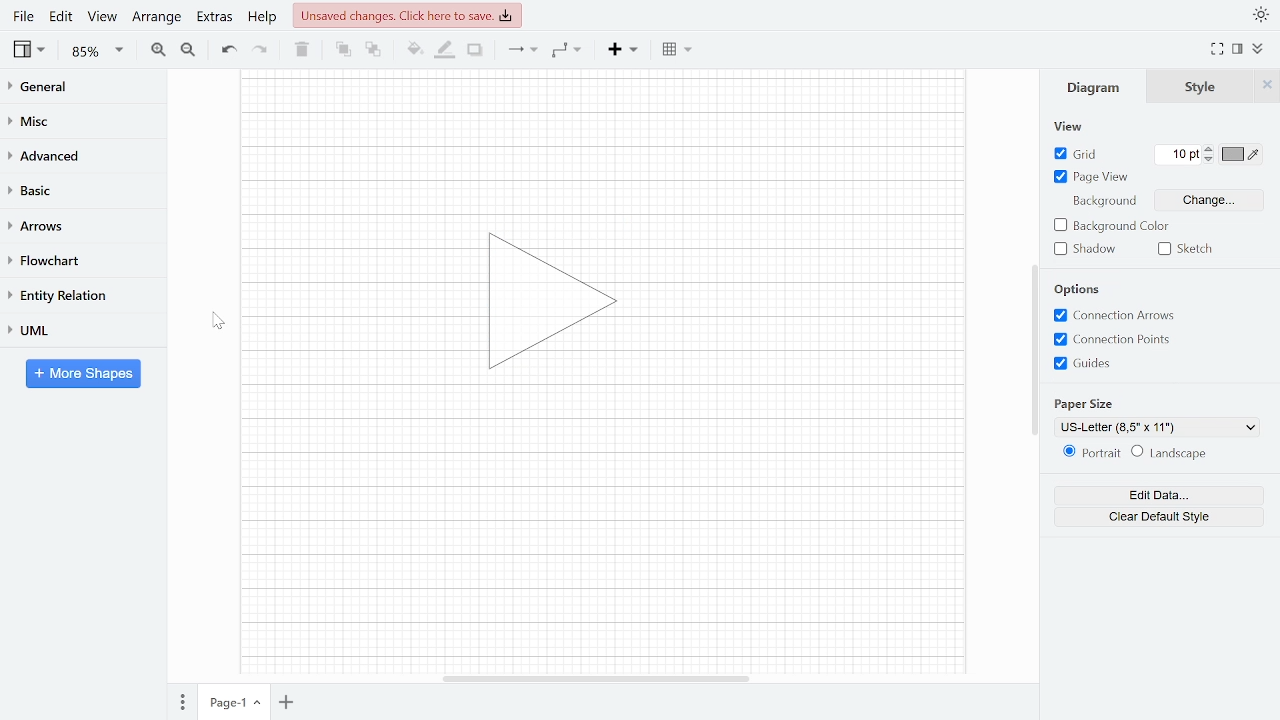 The image size is (1280, 720). What do you see at coordinates (102, 16) in the screenshot?
I see `View` at bounding box center [102, 16].